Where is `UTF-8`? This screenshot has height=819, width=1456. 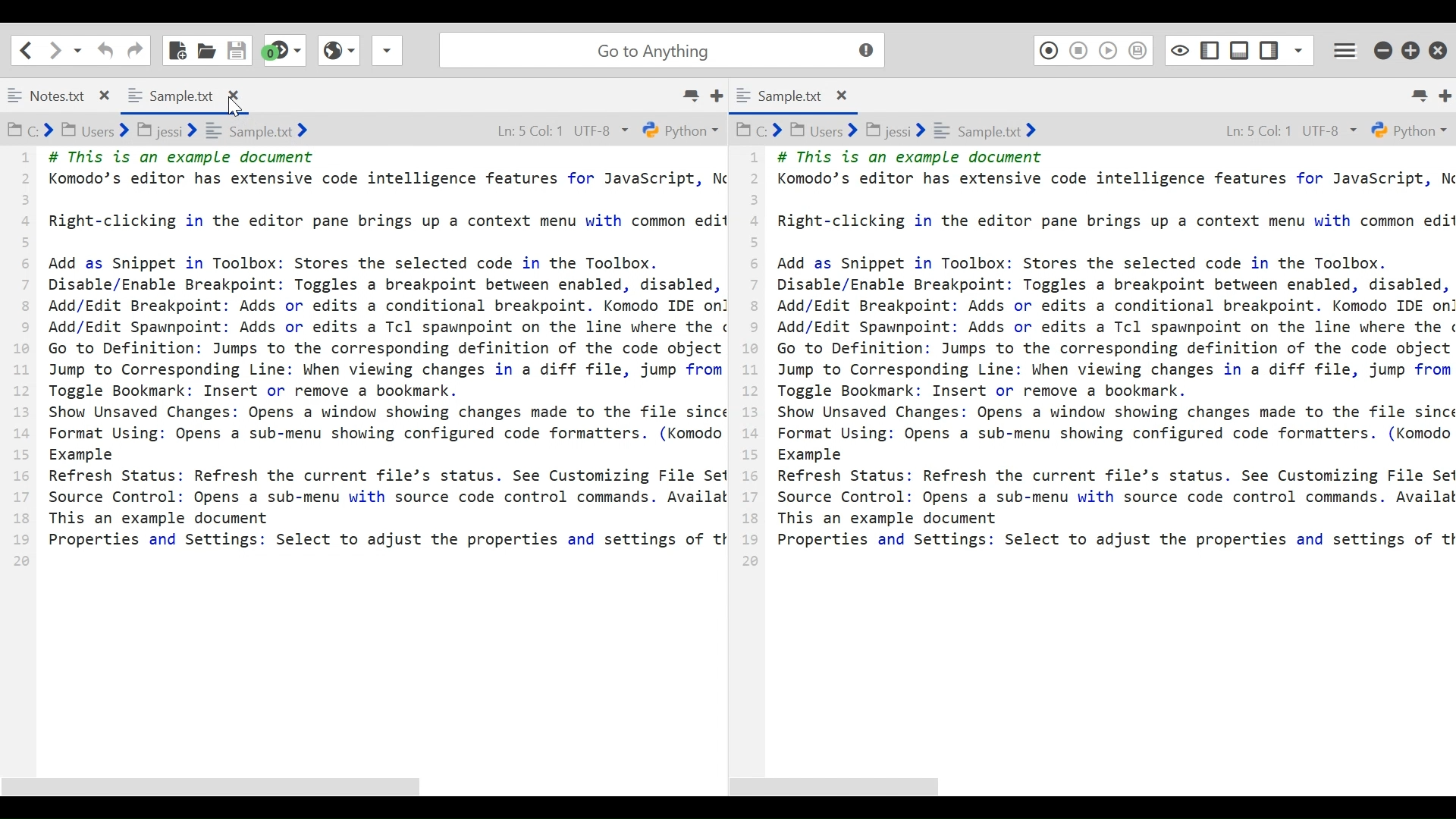 UTF-8 is located at coordinates (603, 128).